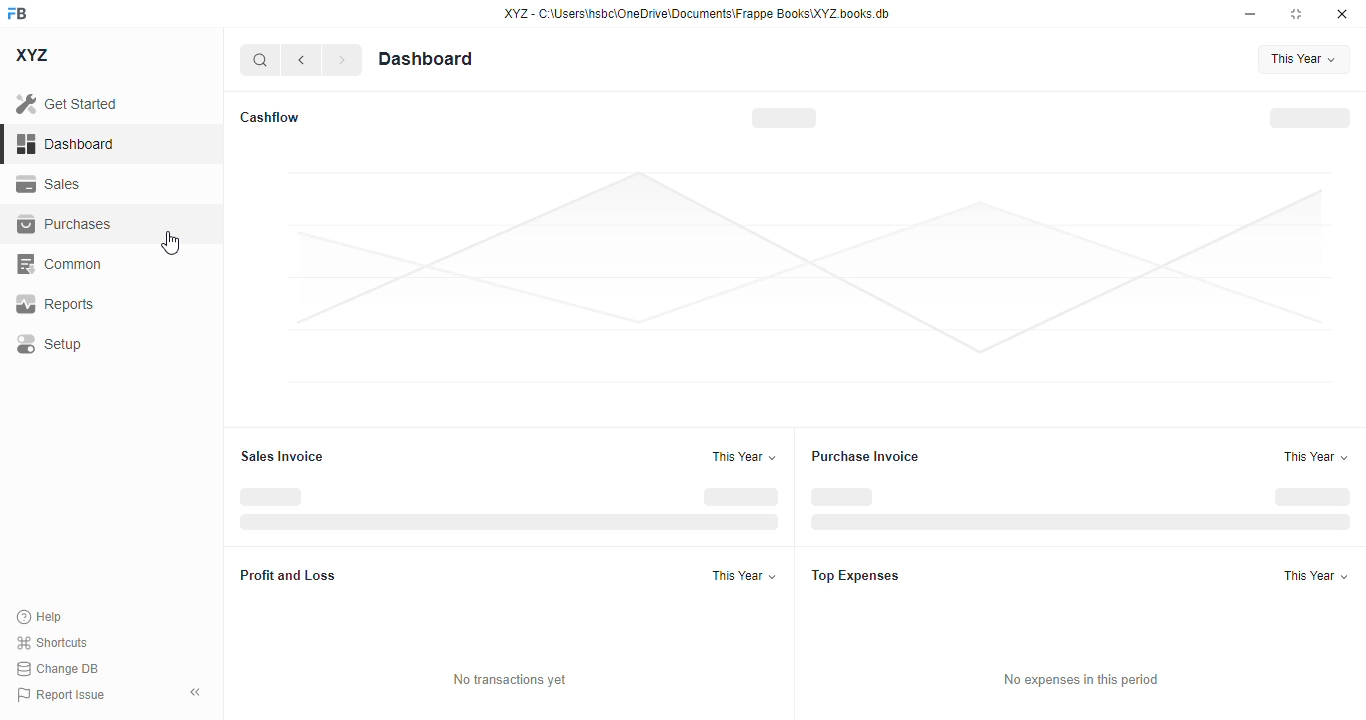 Image resolution: width=1366 pixels, height=720 pixels. I want to click on common, so click(61, 264).